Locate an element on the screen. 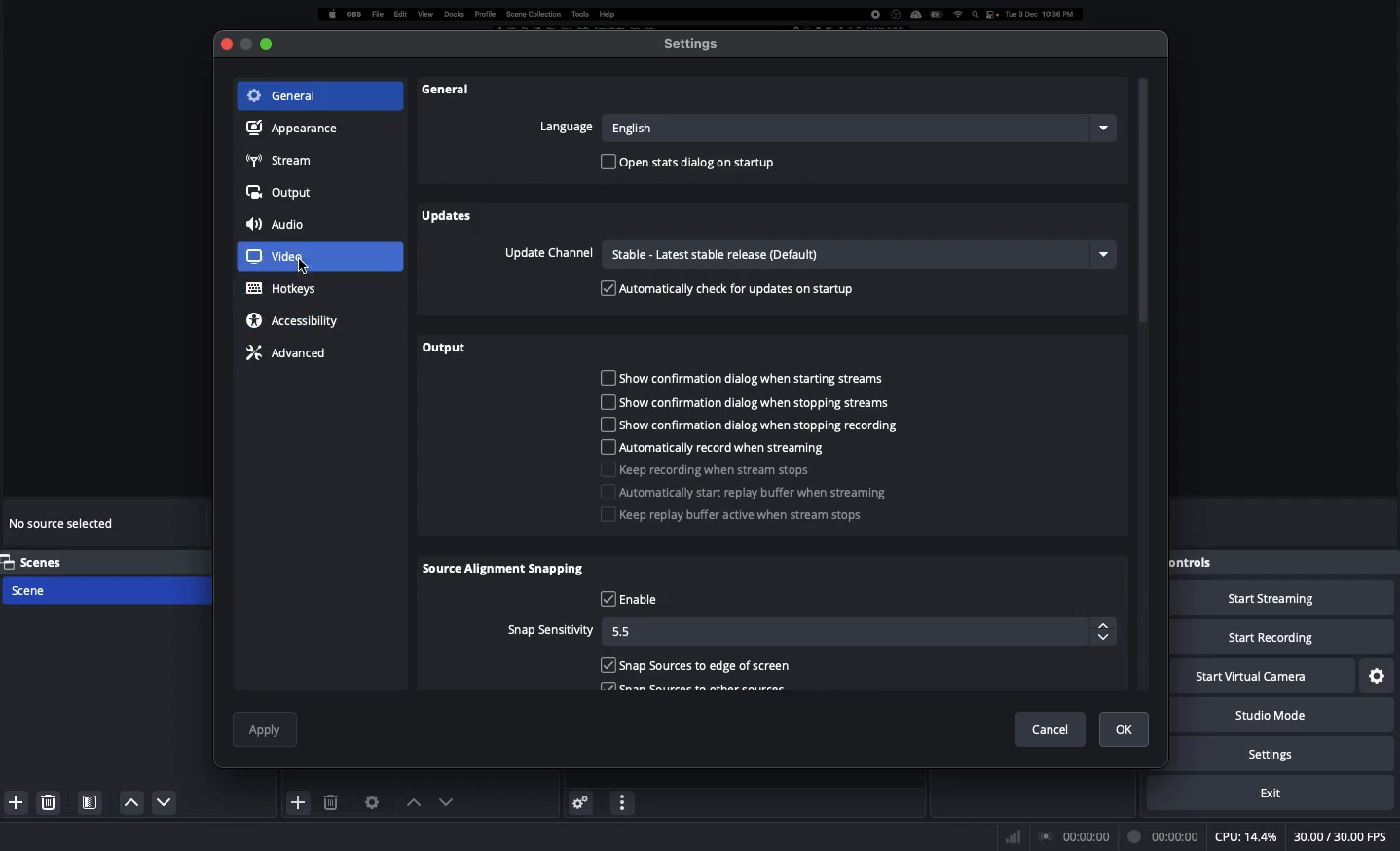  Settings is located at coordinates (1298, 754).